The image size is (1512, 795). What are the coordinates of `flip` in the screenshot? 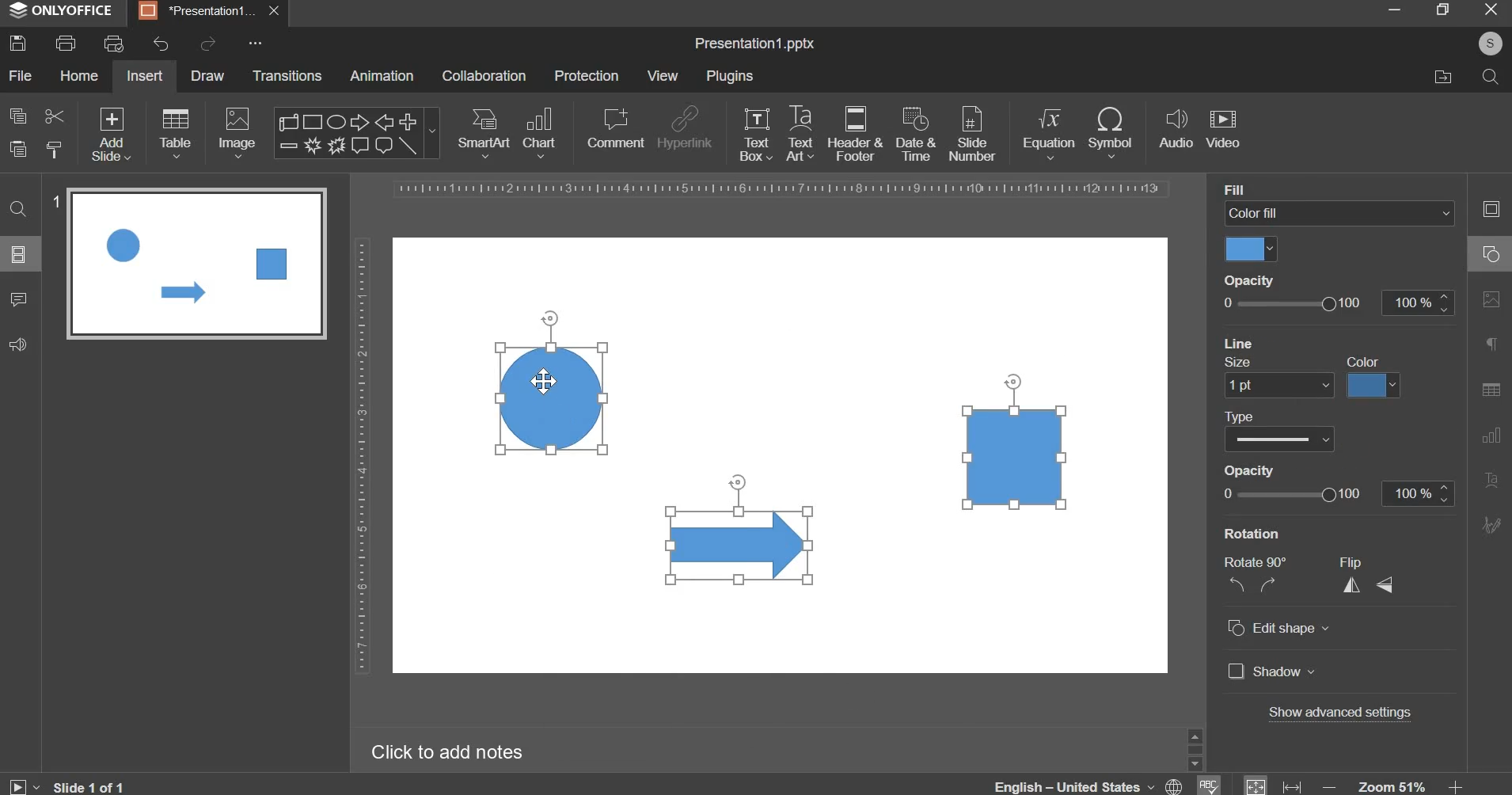 It's located at (1360, 561).